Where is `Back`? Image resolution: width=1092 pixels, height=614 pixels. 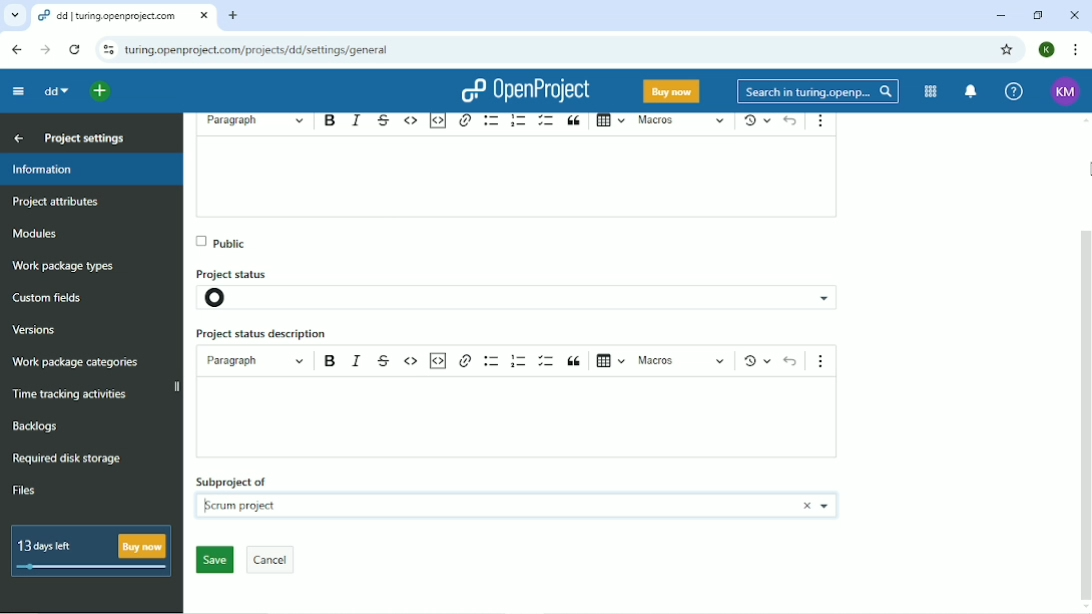
Back is located at coordinates (19, 50).